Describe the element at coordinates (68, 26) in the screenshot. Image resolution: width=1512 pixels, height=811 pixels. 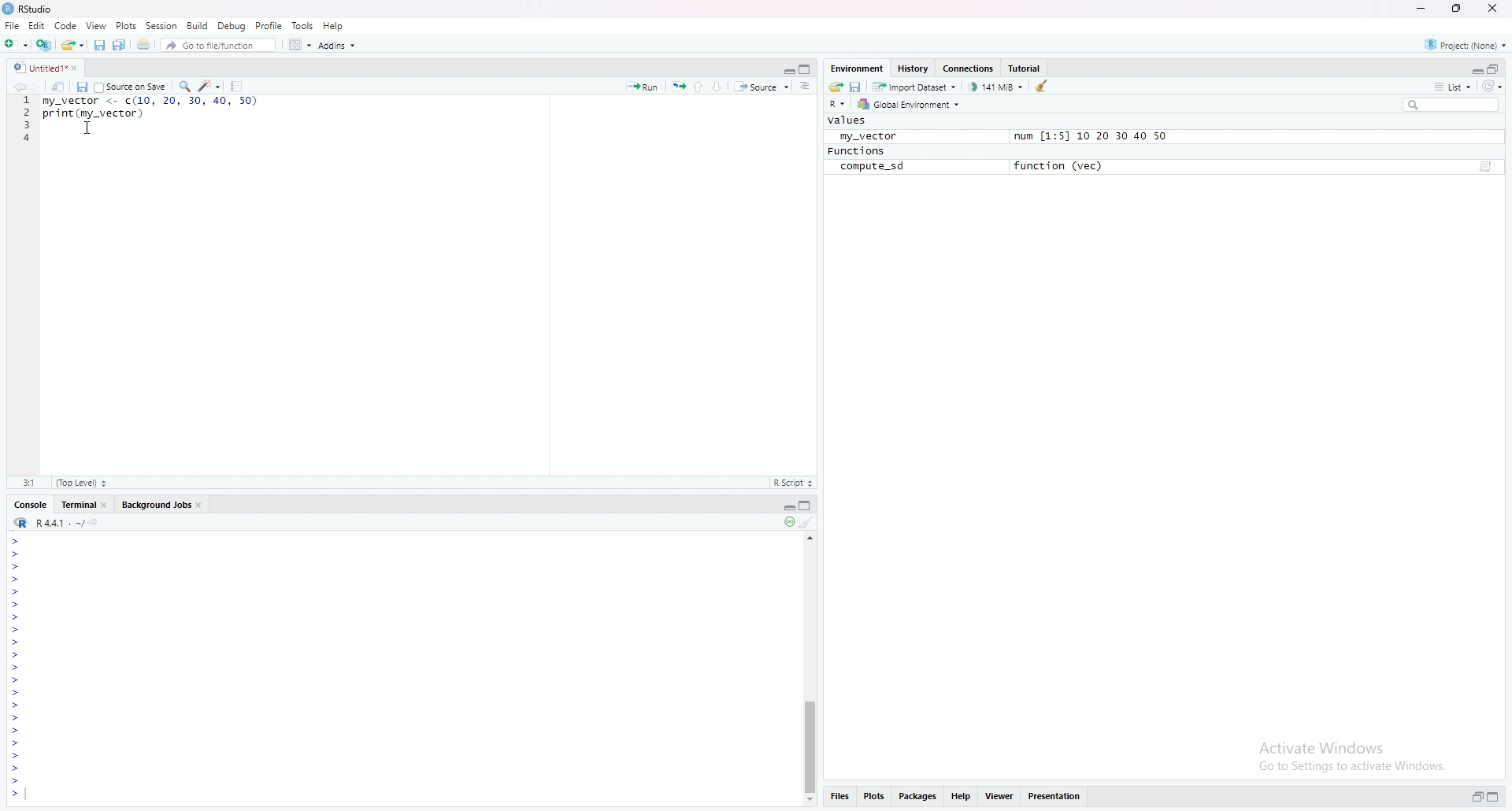
I see `Code` at that location.